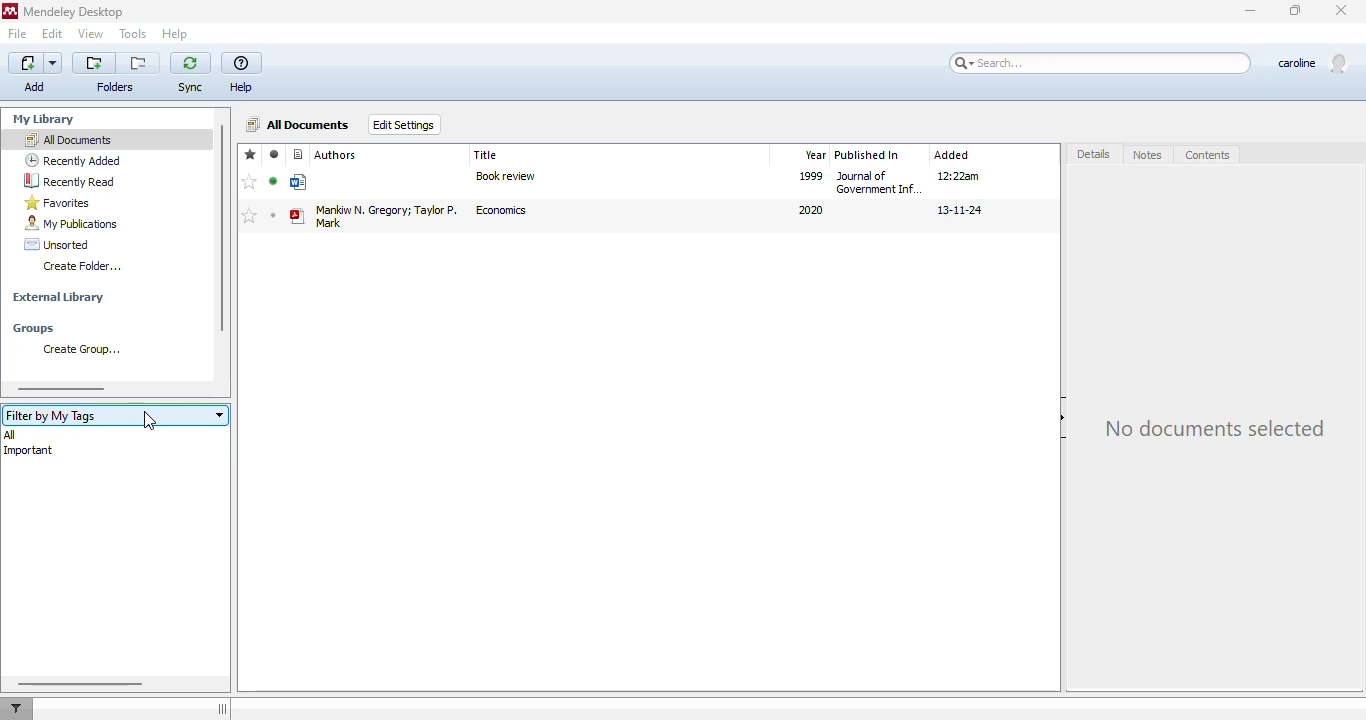 This screenshot has height=720, width=1366. What do you see at coordinates (1208, 155) in the screenshot?
I see `contents` at bounding box center [1208, 155].